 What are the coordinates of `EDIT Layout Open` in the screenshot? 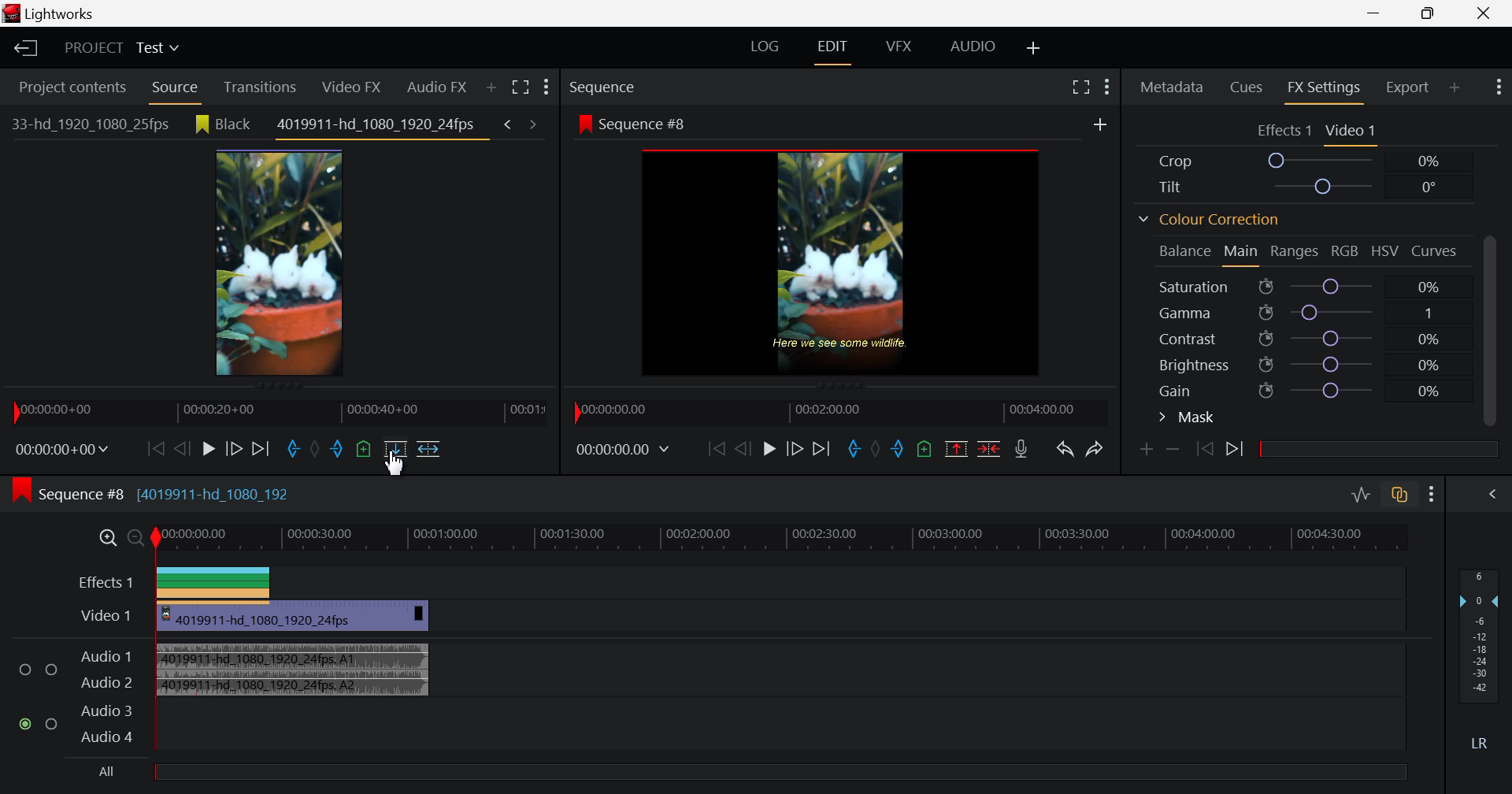 It's located at (833, 50).